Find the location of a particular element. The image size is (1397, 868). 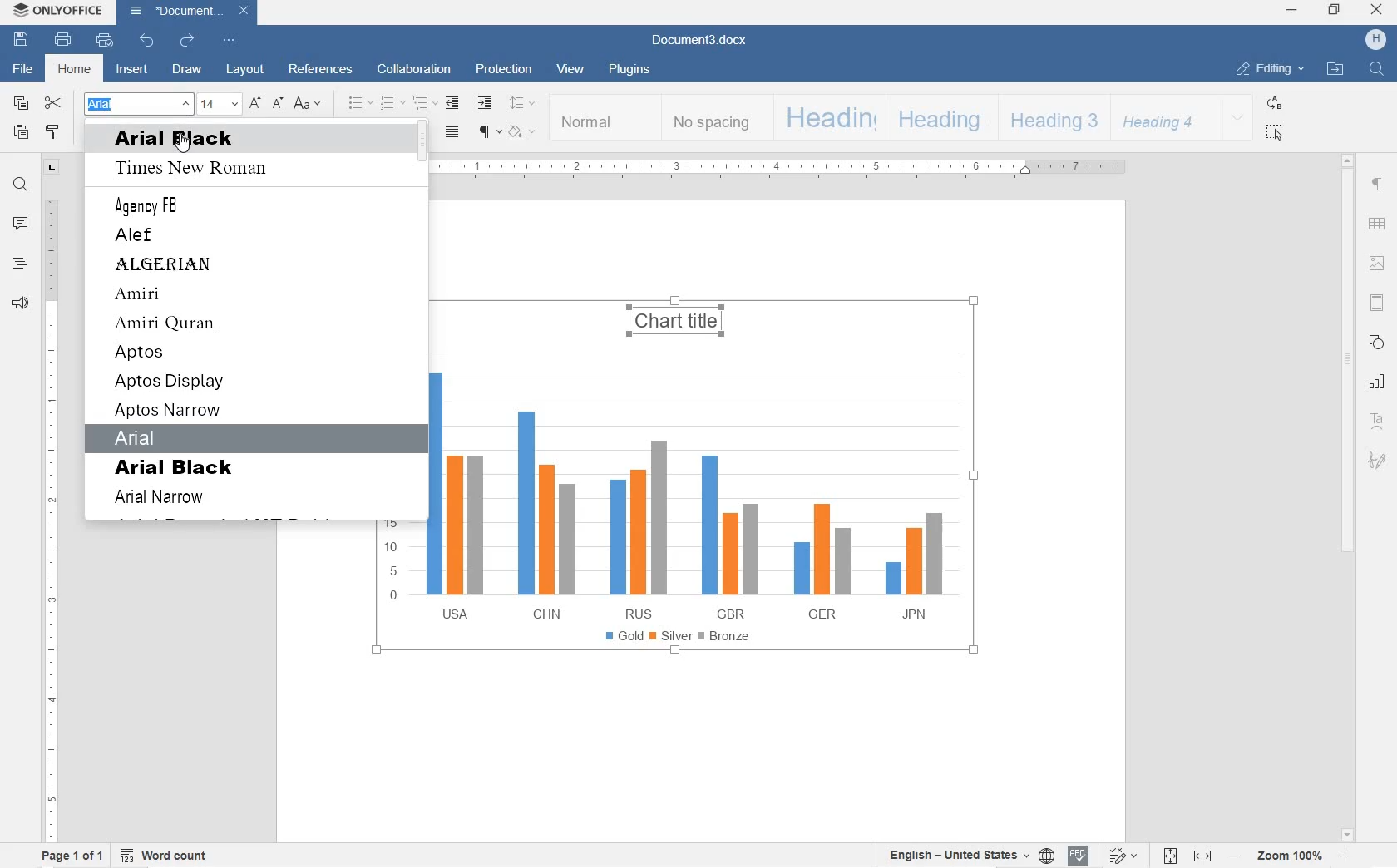

ALEF is located at coordinates (138, 235).